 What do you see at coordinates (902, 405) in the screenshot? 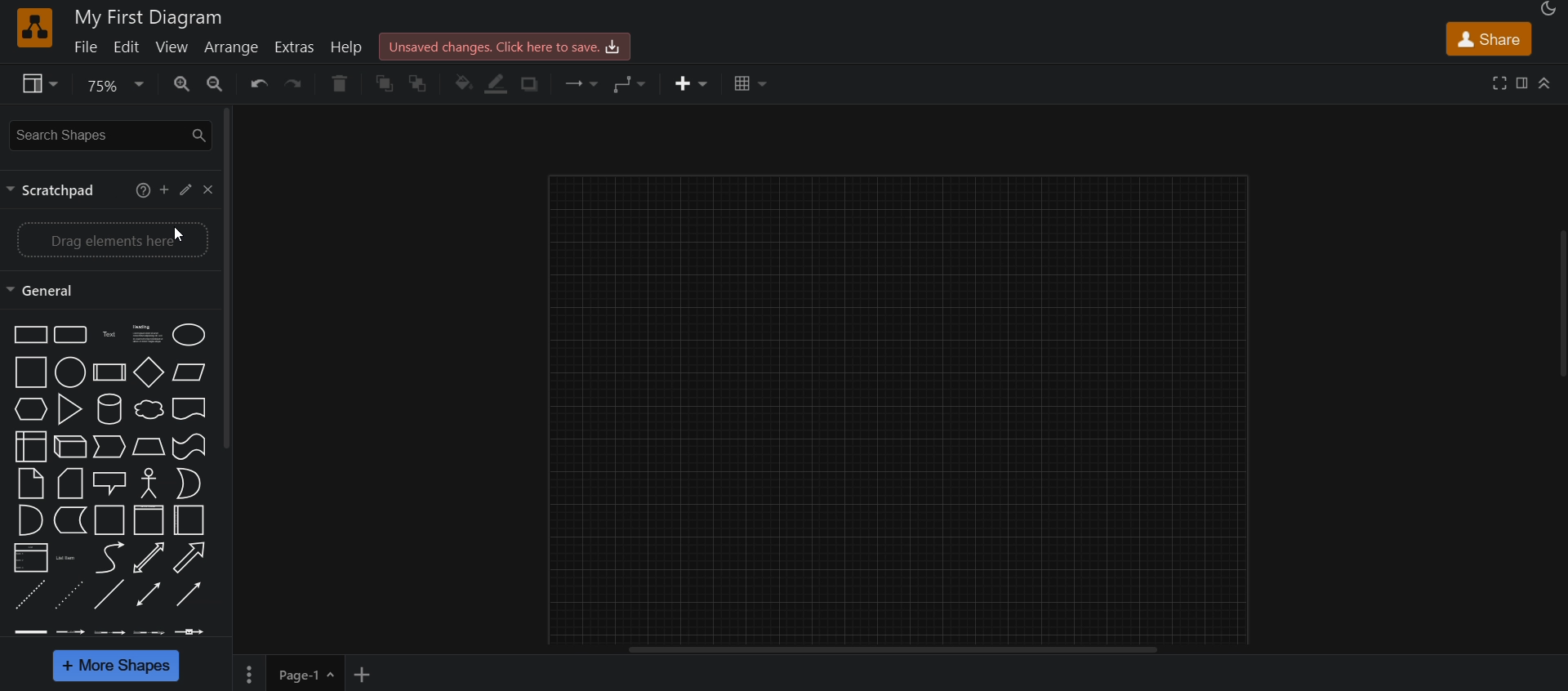
I see `canvas set to 75%` at bounding box center [902, 405].